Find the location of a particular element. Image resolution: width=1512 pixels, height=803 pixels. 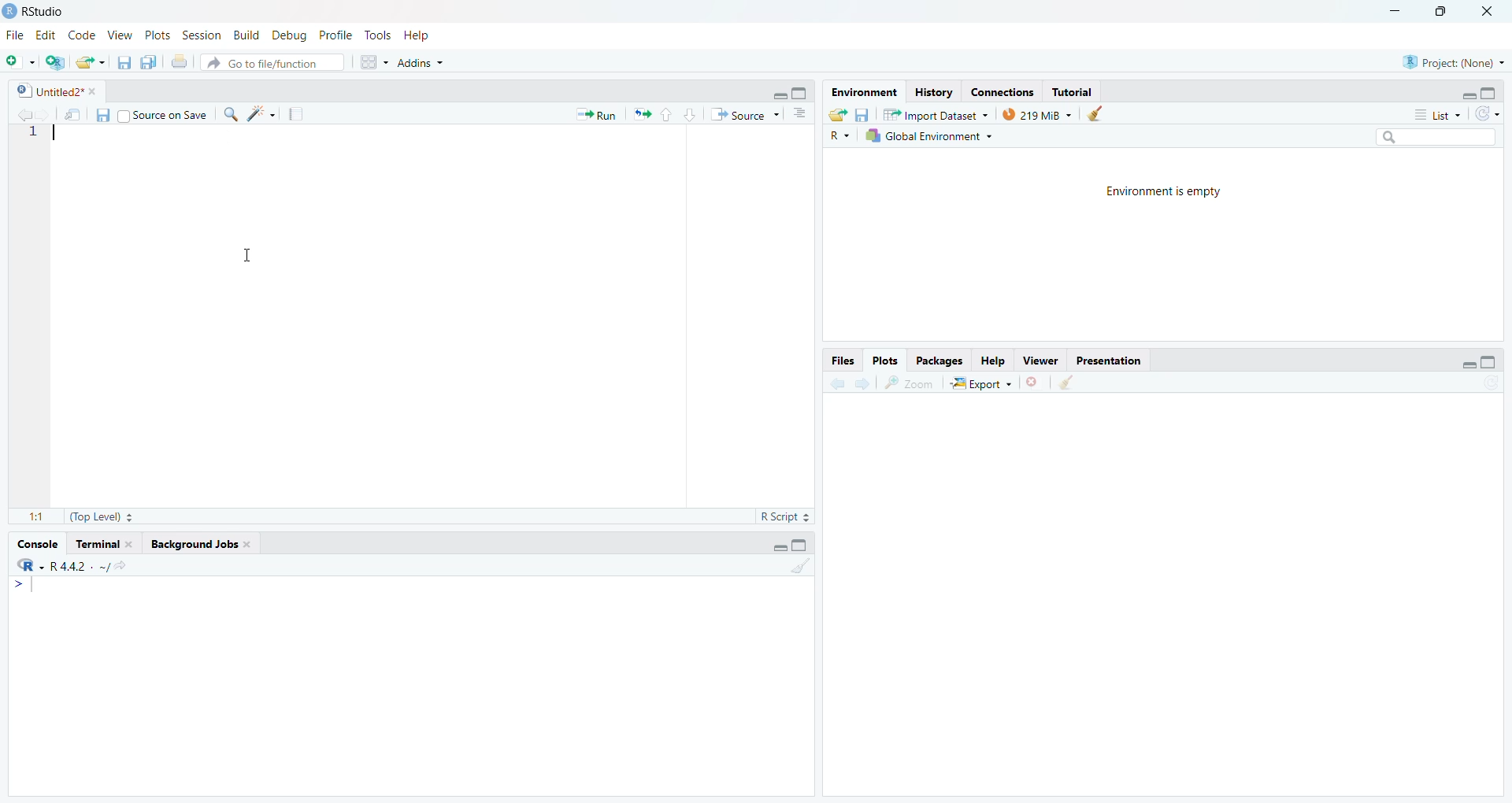

Remove Selected is located at coordinates (1035, 382).